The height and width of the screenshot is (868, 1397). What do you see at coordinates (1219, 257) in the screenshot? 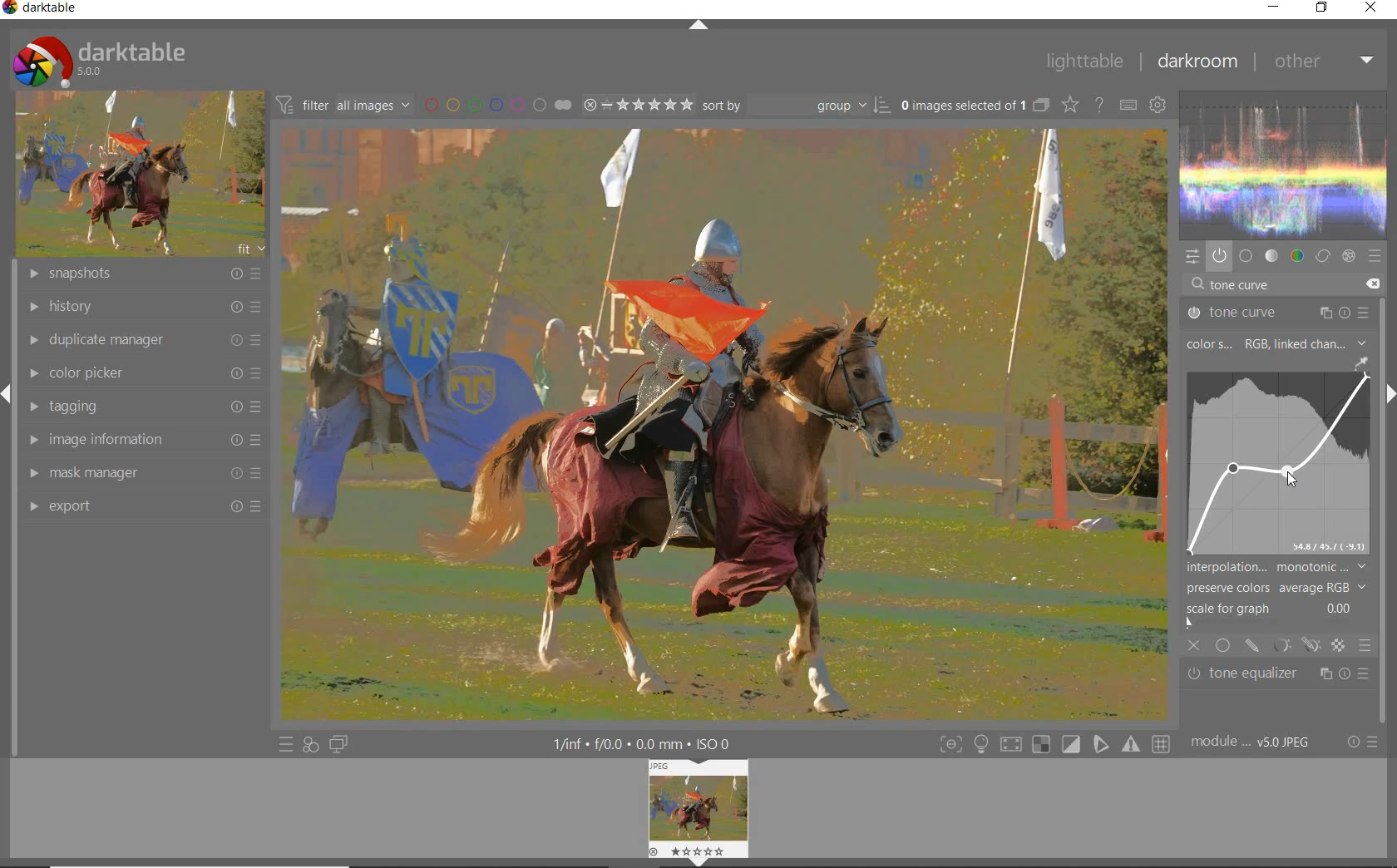
I see `show only active modules` at bounding box center [1219, 257].